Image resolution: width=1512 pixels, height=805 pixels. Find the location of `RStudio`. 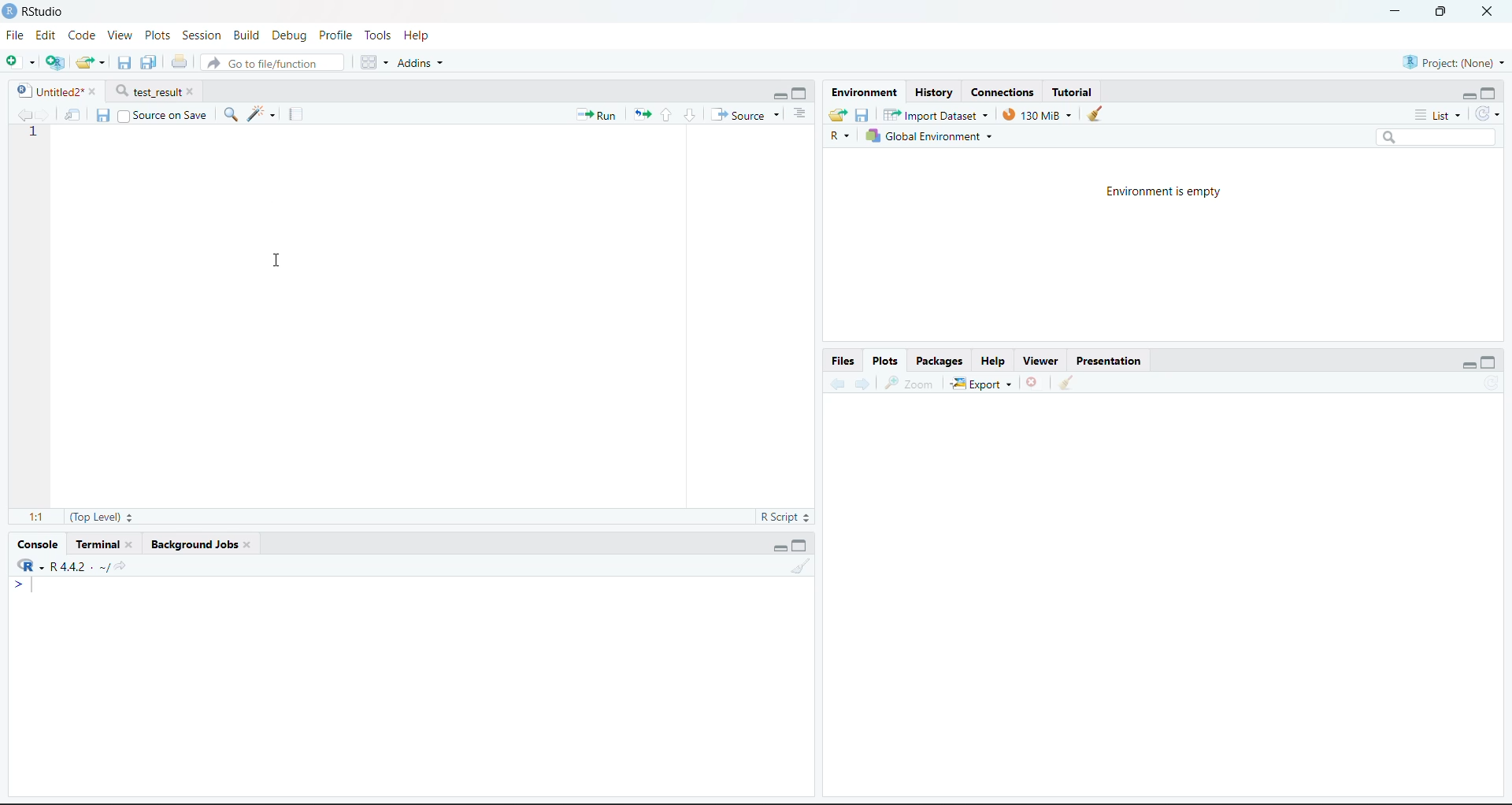

RStudio is located at coordinates (41, 11).